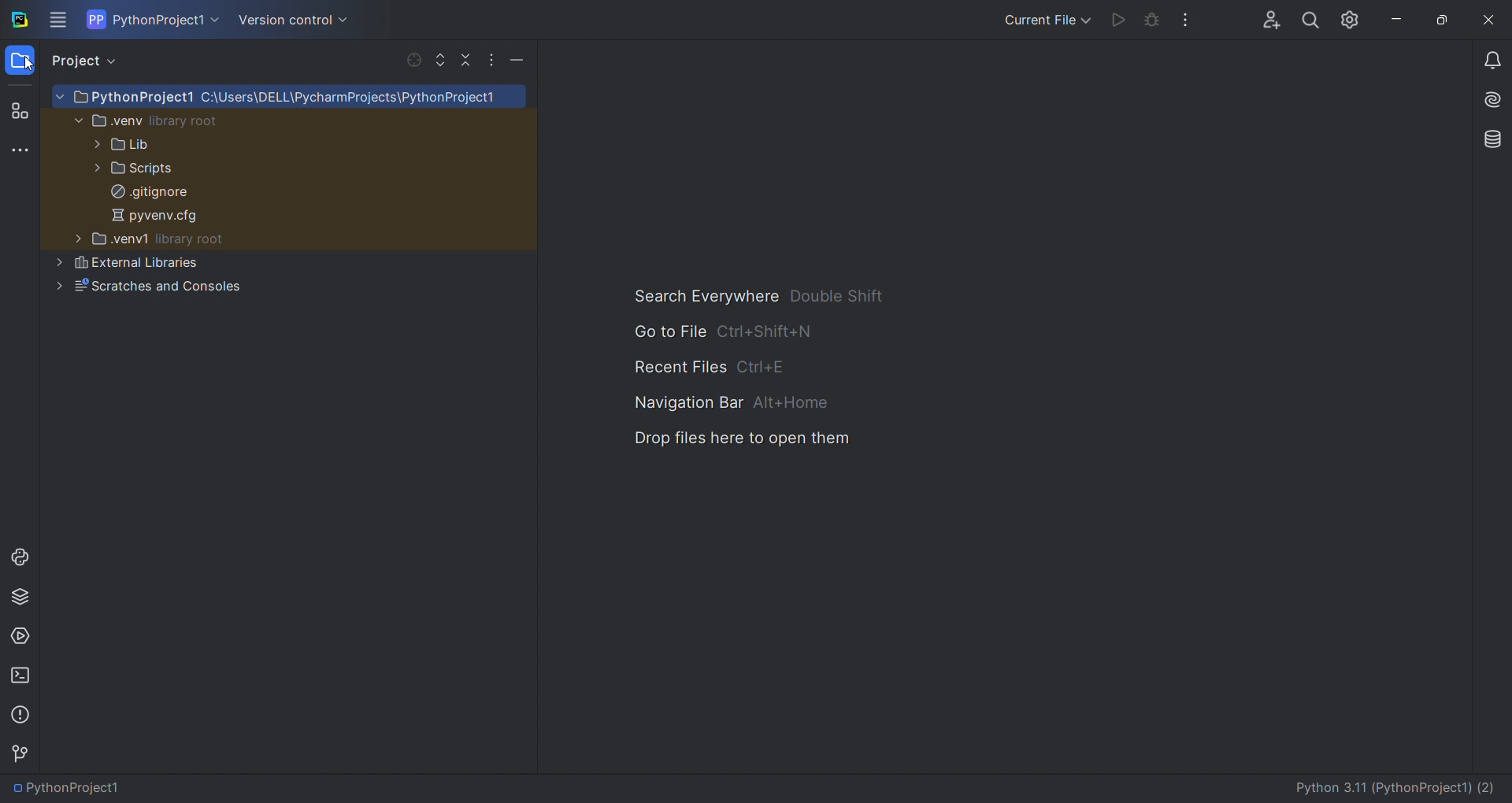  Describe the element at coordinates (1182, 20) in the screenshot. I see `options` at that location.